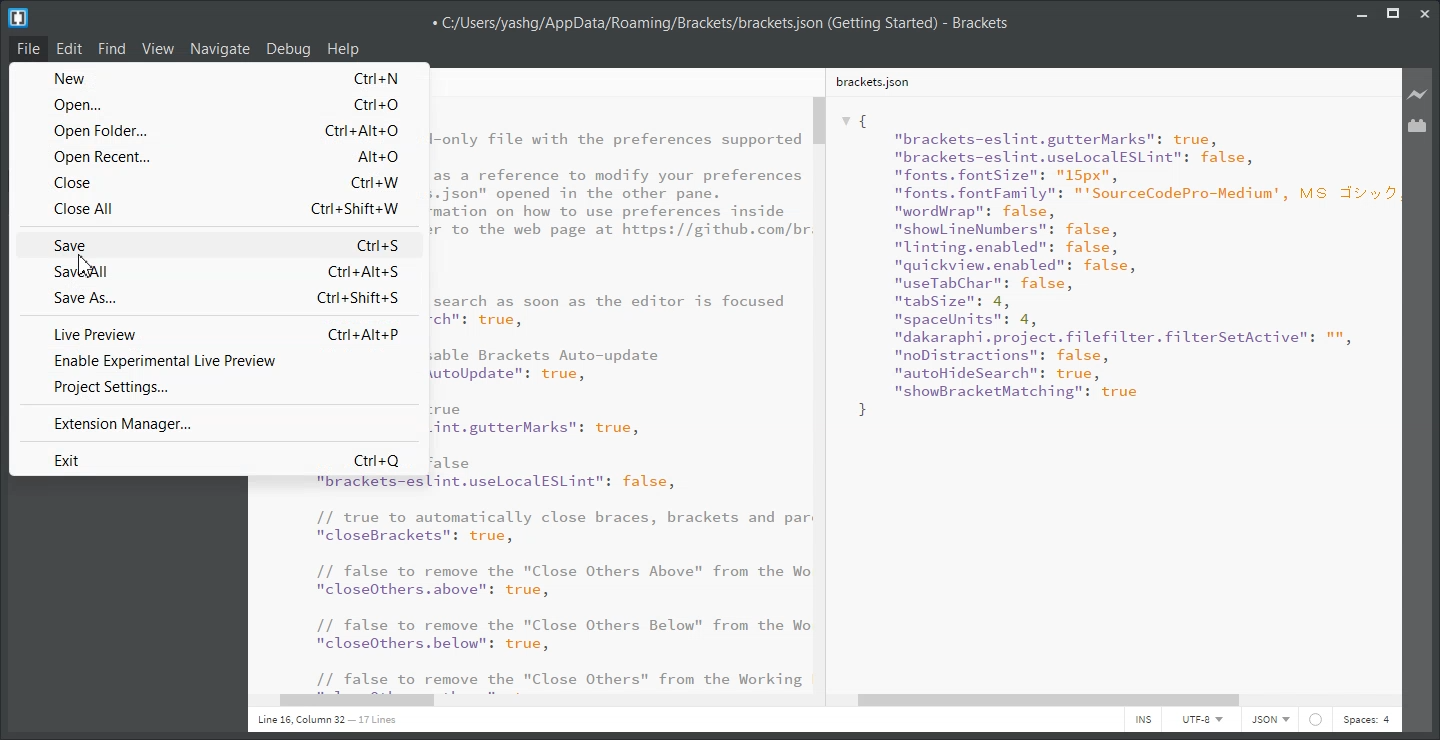 The image size is (1440, 740). What do you see at coordinates (823, 392) in the screenshot?
I see `Vertical Scroll bar` at bounding box center [823, 392].